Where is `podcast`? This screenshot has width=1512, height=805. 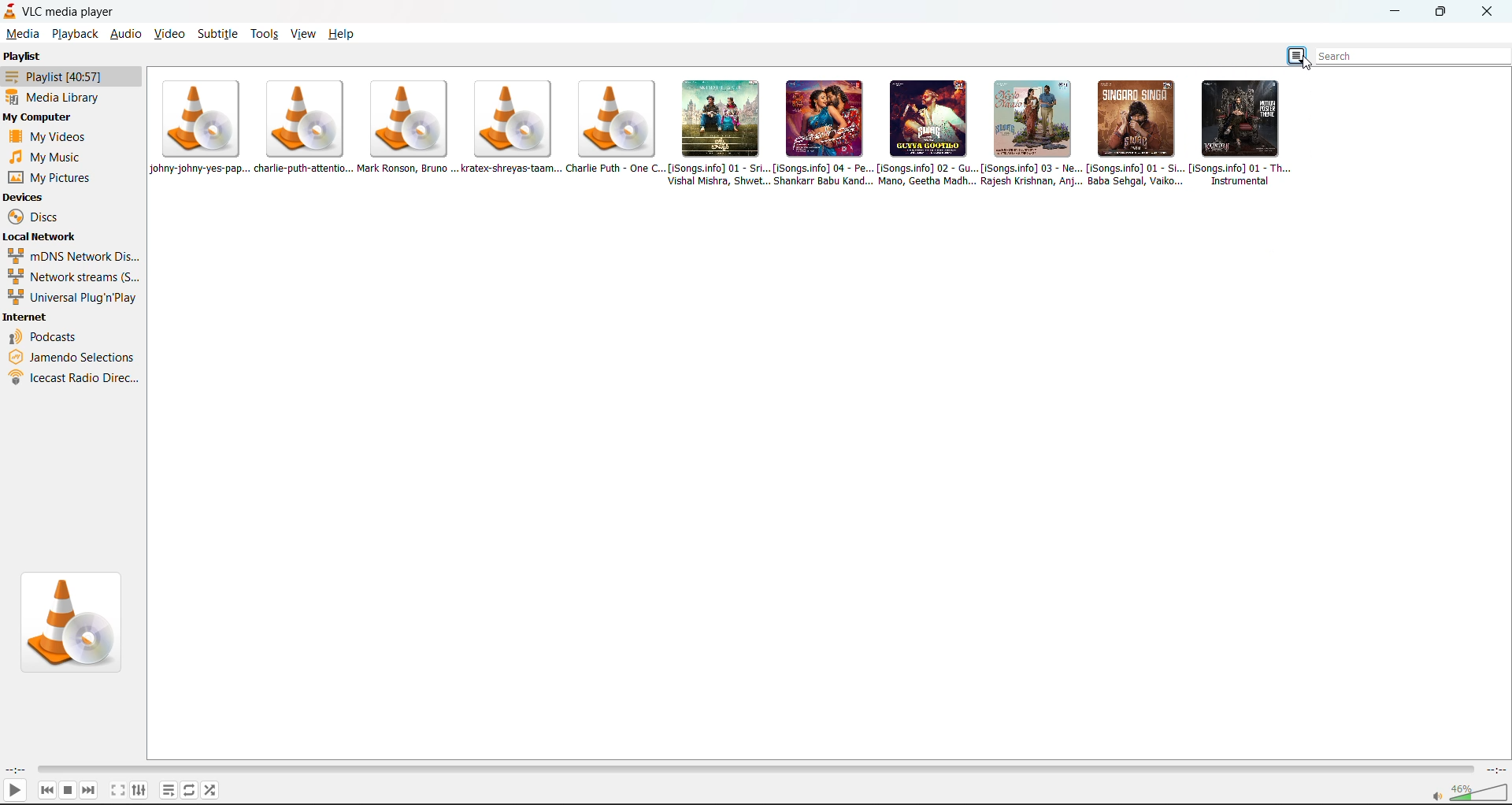
podcast is located at coordinates (48, 337).